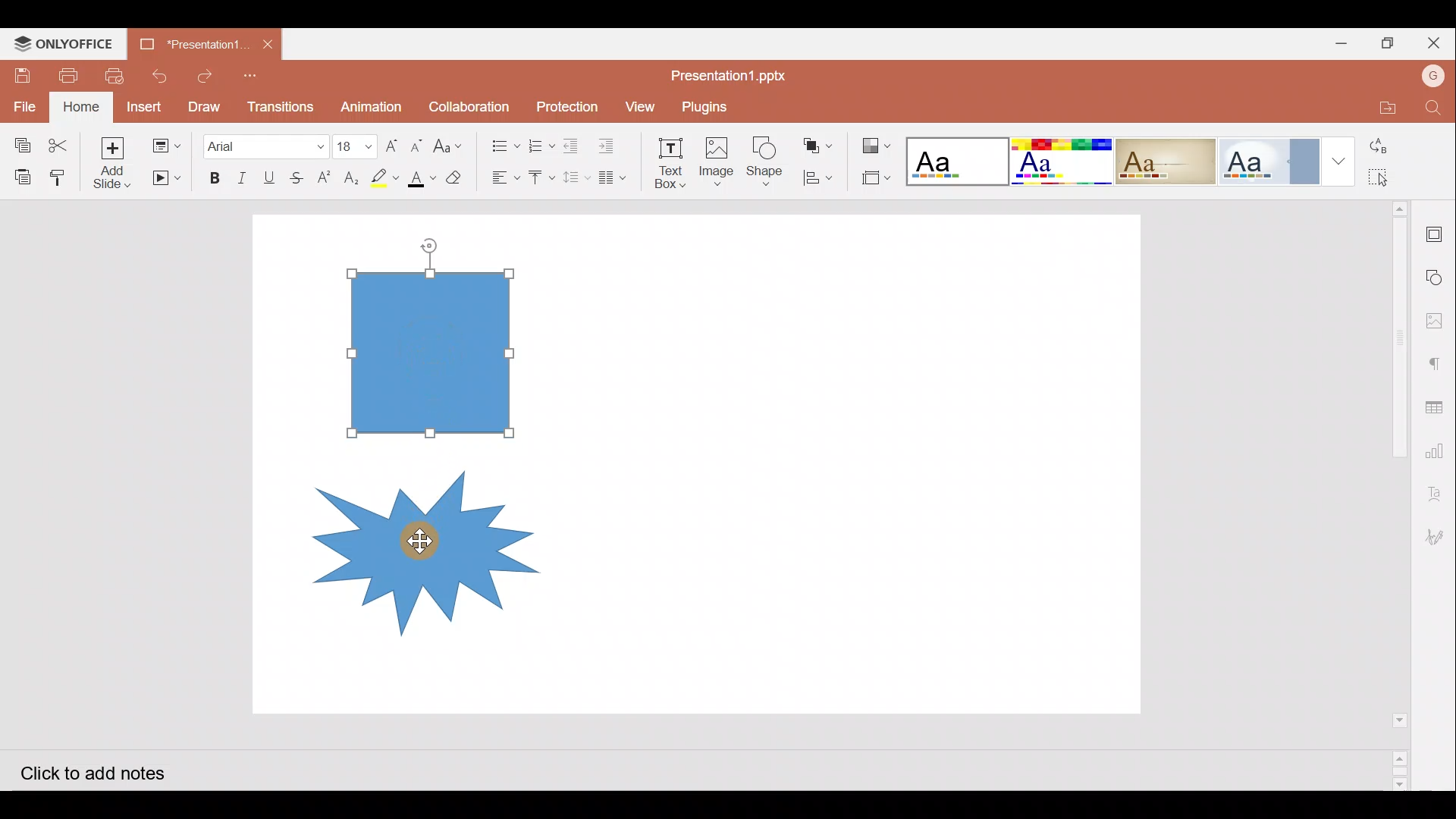  I want to click on View, so click(638, 105).